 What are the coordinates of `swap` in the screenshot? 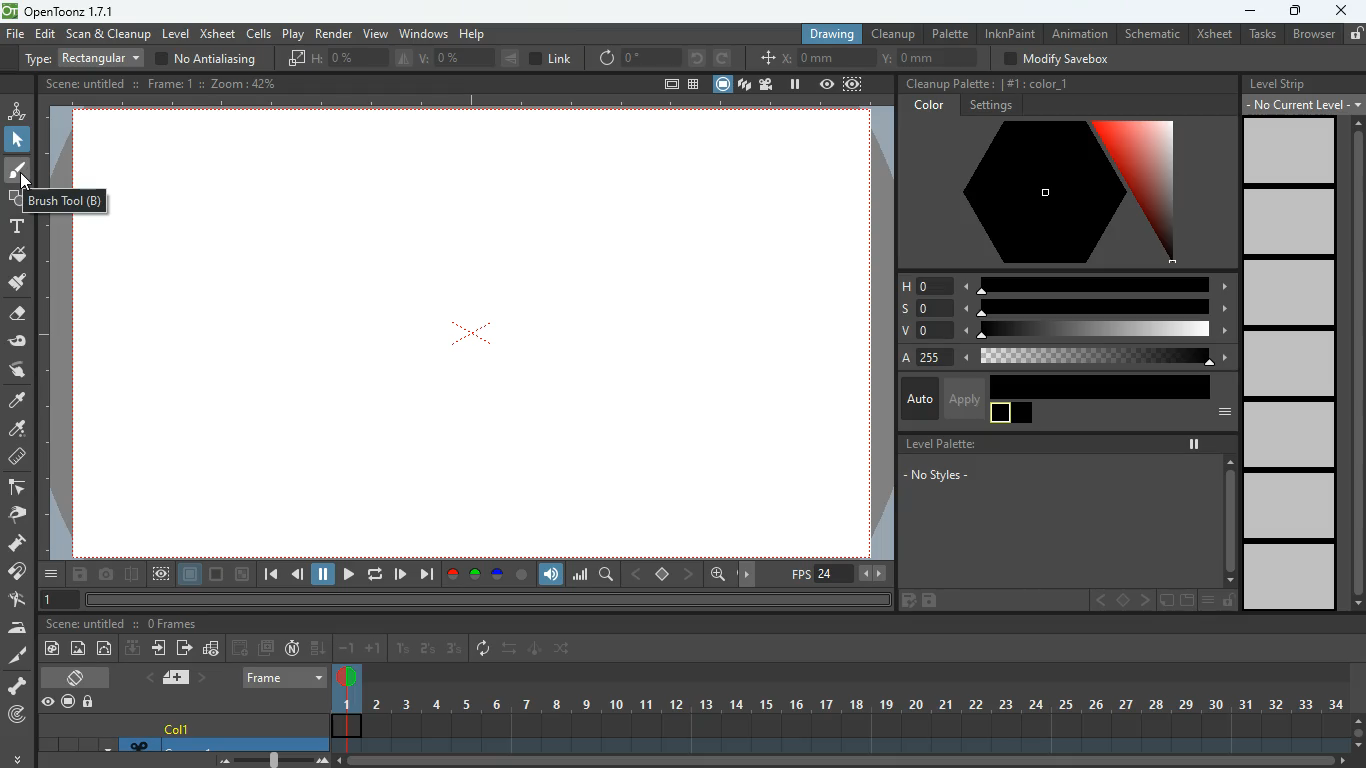 It's located at (511, 648).